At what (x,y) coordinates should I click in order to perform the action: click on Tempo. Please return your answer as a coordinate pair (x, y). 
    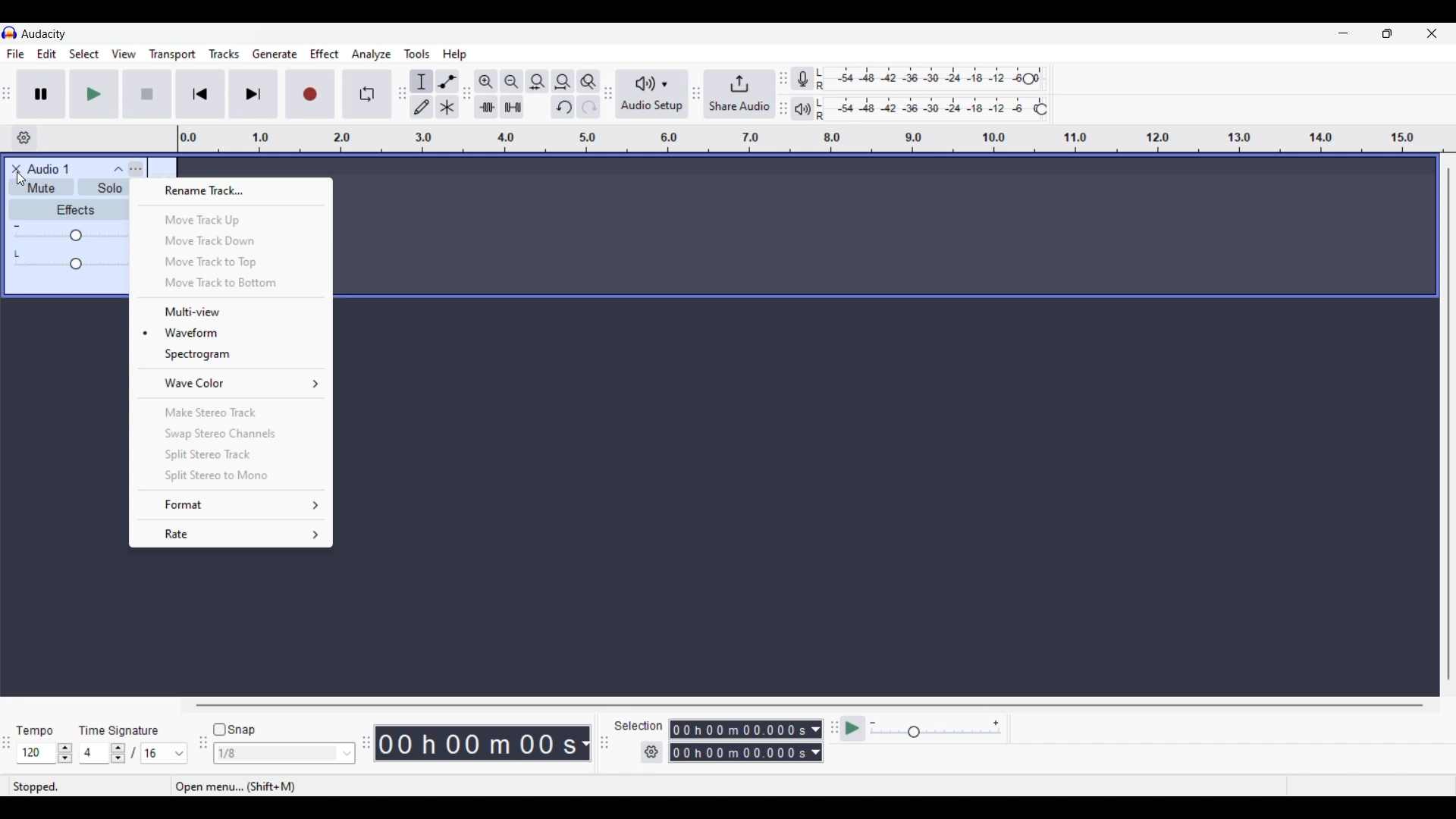
    Looking at the image, I should click on (34, 730).